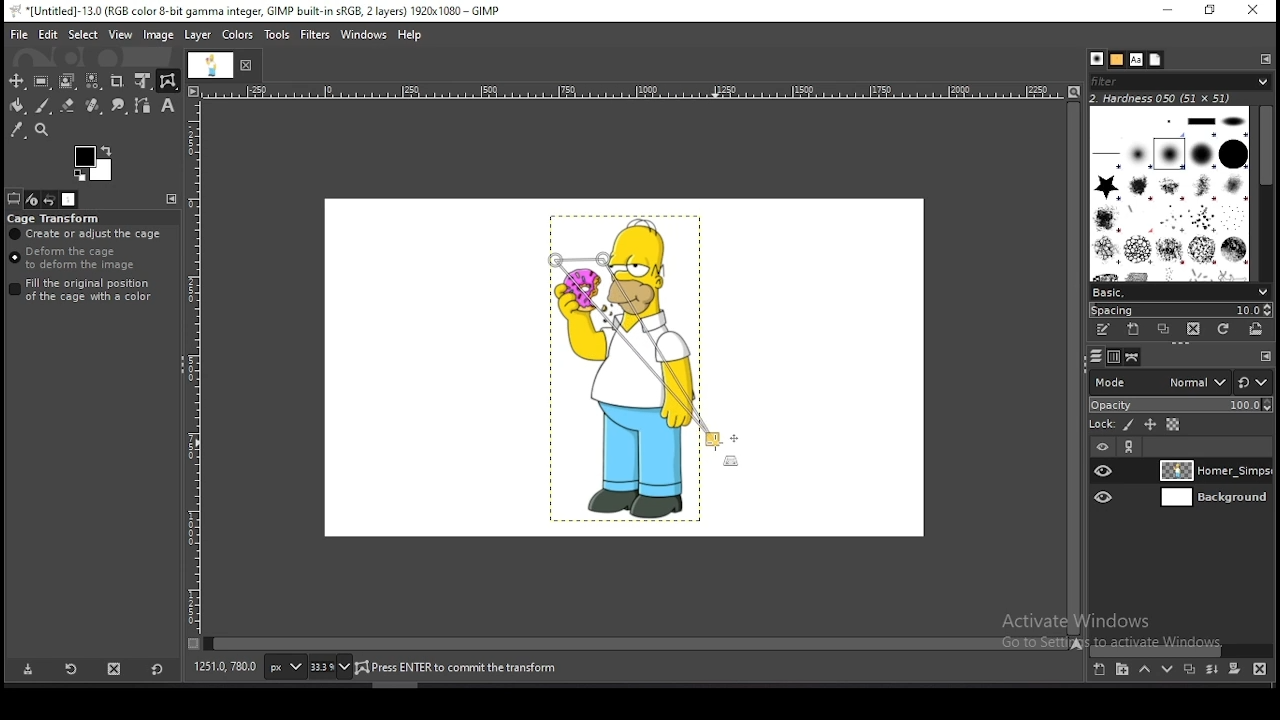 The width and height of the screenshot is (1280, 720). I want to click on restore, so click(1207, 11).